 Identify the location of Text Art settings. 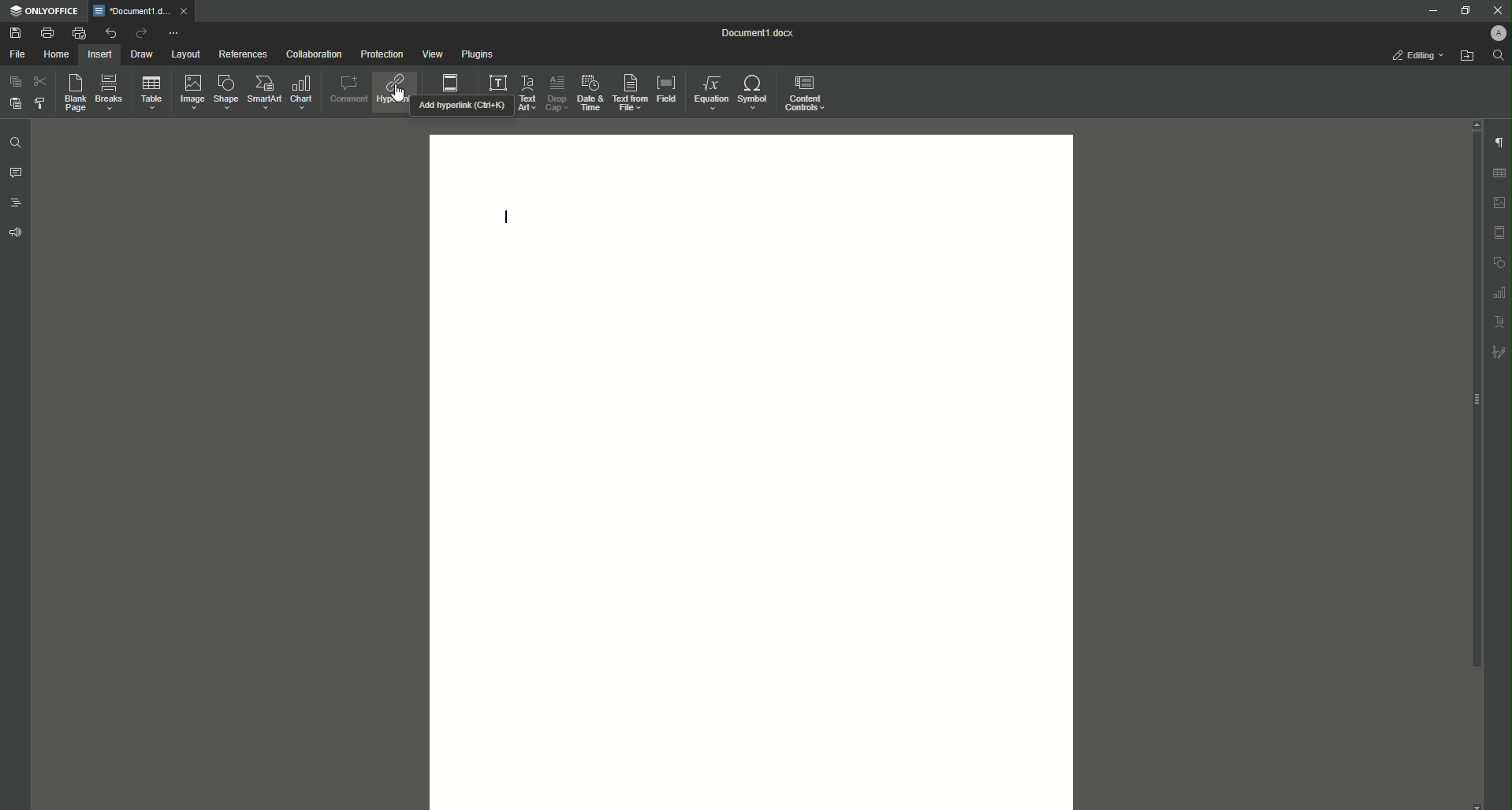
(1500, 322).